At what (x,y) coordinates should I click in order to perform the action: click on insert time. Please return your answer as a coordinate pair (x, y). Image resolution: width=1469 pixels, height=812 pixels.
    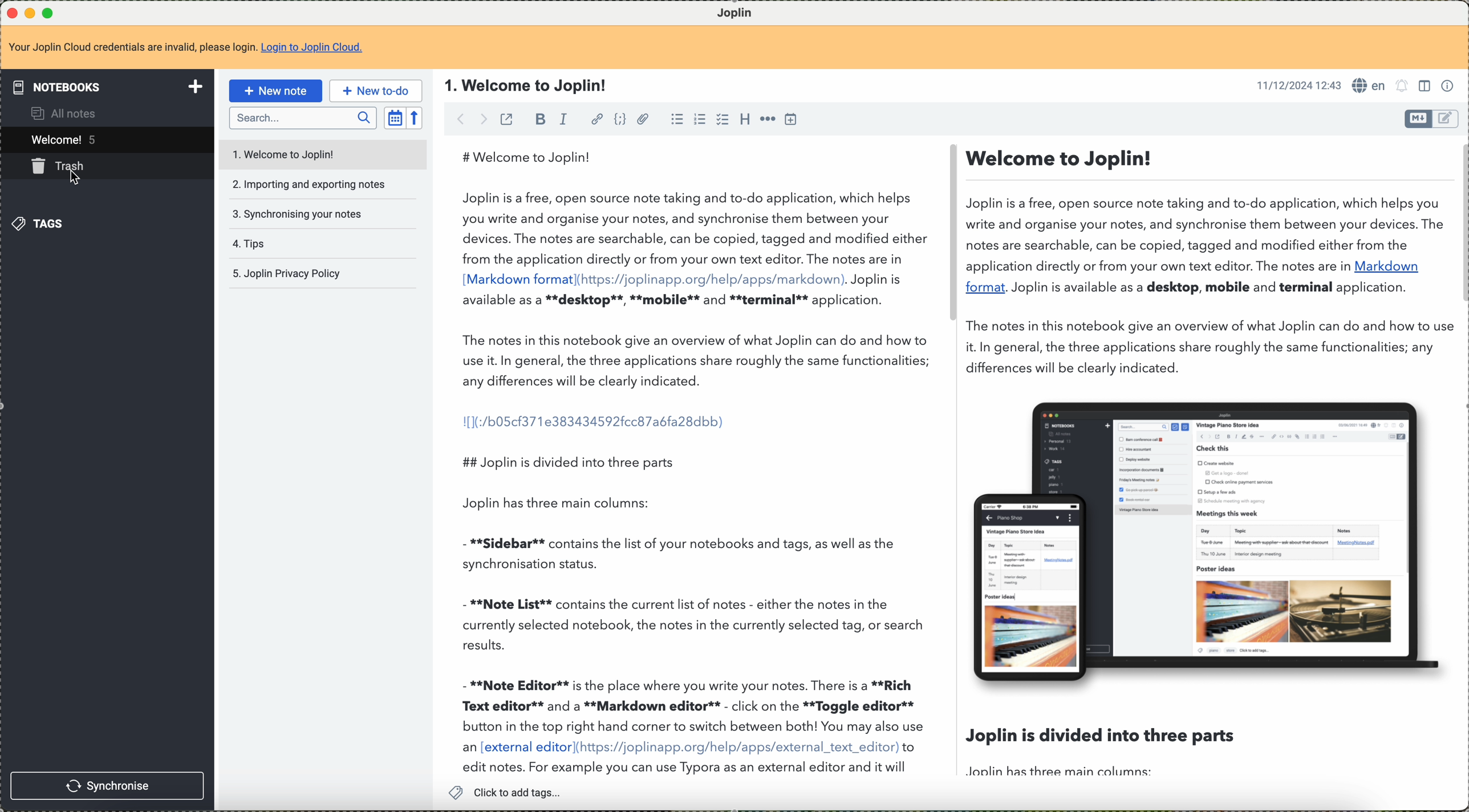
    Looking at the image, I should click on (792, 120).